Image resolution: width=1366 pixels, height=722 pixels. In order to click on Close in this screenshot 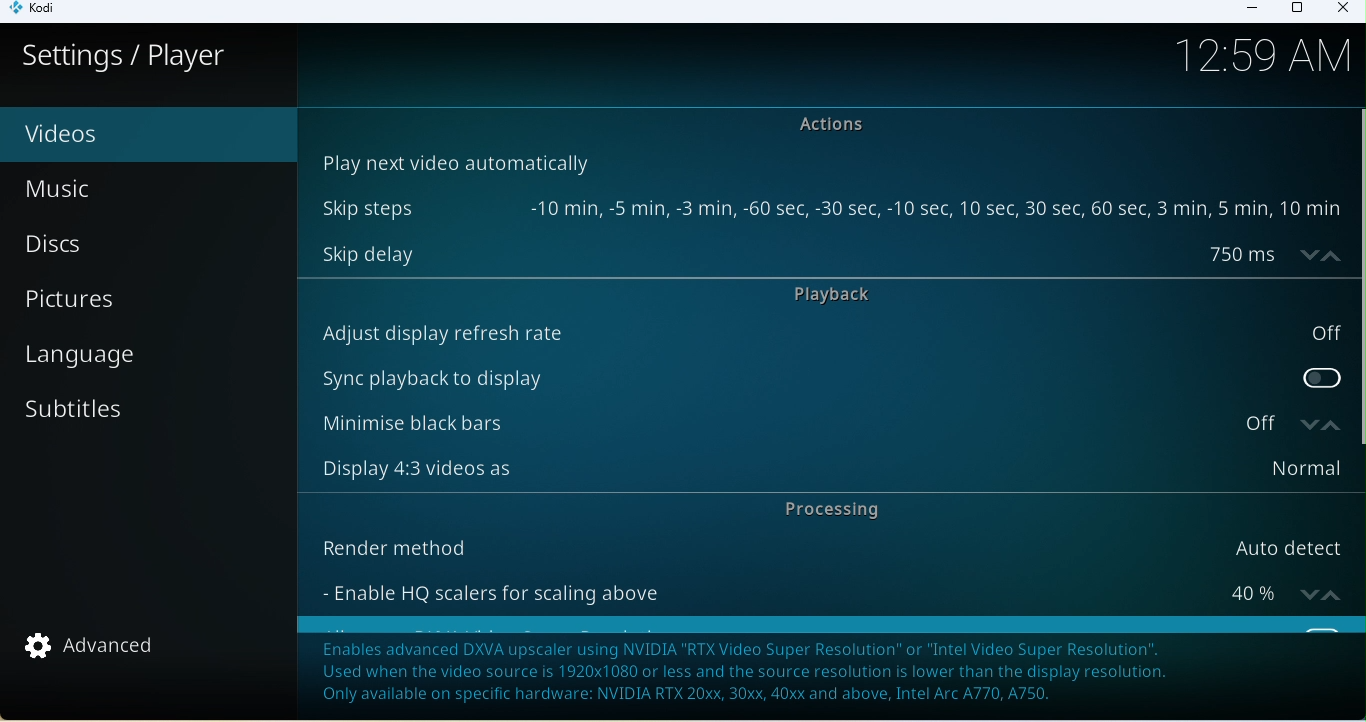, I will do `click(1341, 10)`.